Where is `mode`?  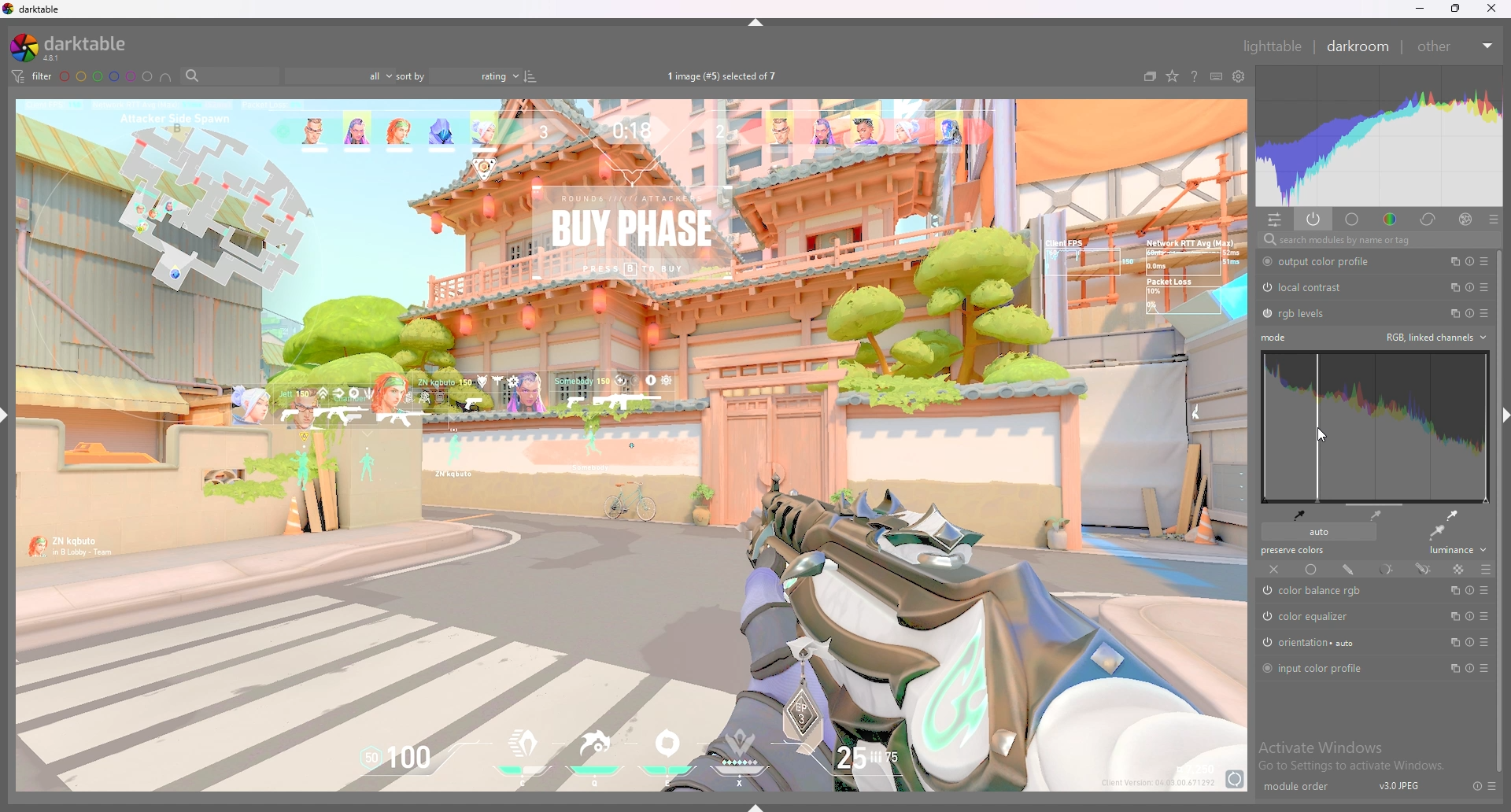
mode is located at coordinates (1276, 338).